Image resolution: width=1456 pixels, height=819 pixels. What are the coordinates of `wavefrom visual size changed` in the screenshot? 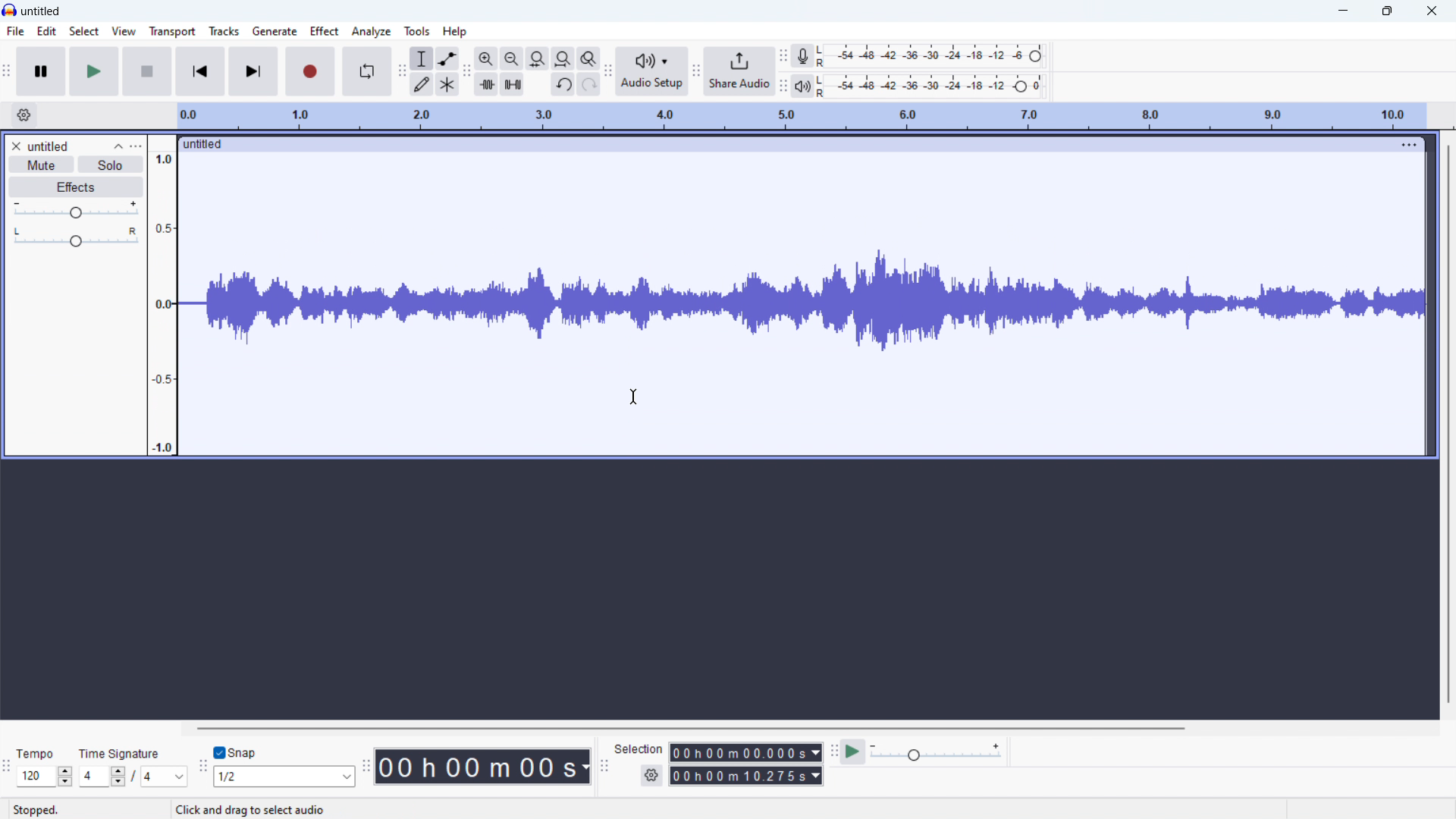 It's located at (802, 302).